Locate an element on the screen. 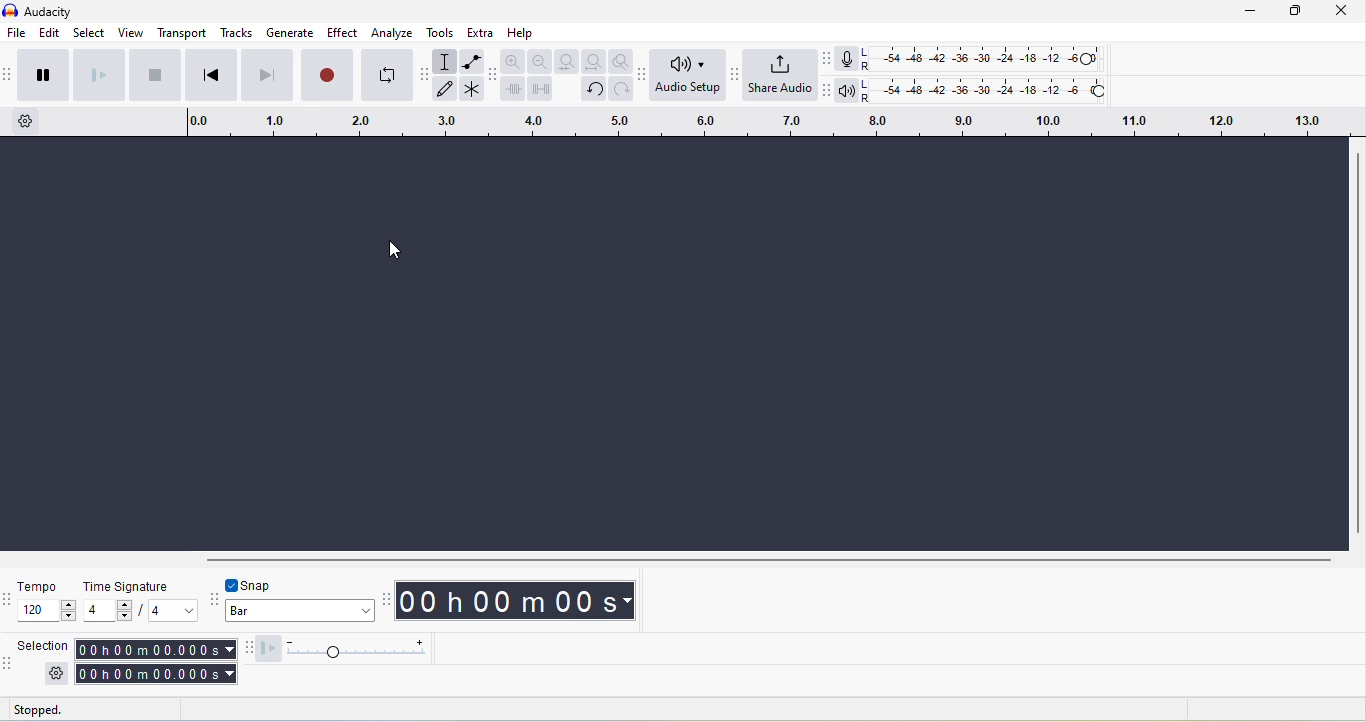 Image resolution: width=1366 pixels, height=722 pixels. horizontal scroll bar is located at coordinates (775, 559).